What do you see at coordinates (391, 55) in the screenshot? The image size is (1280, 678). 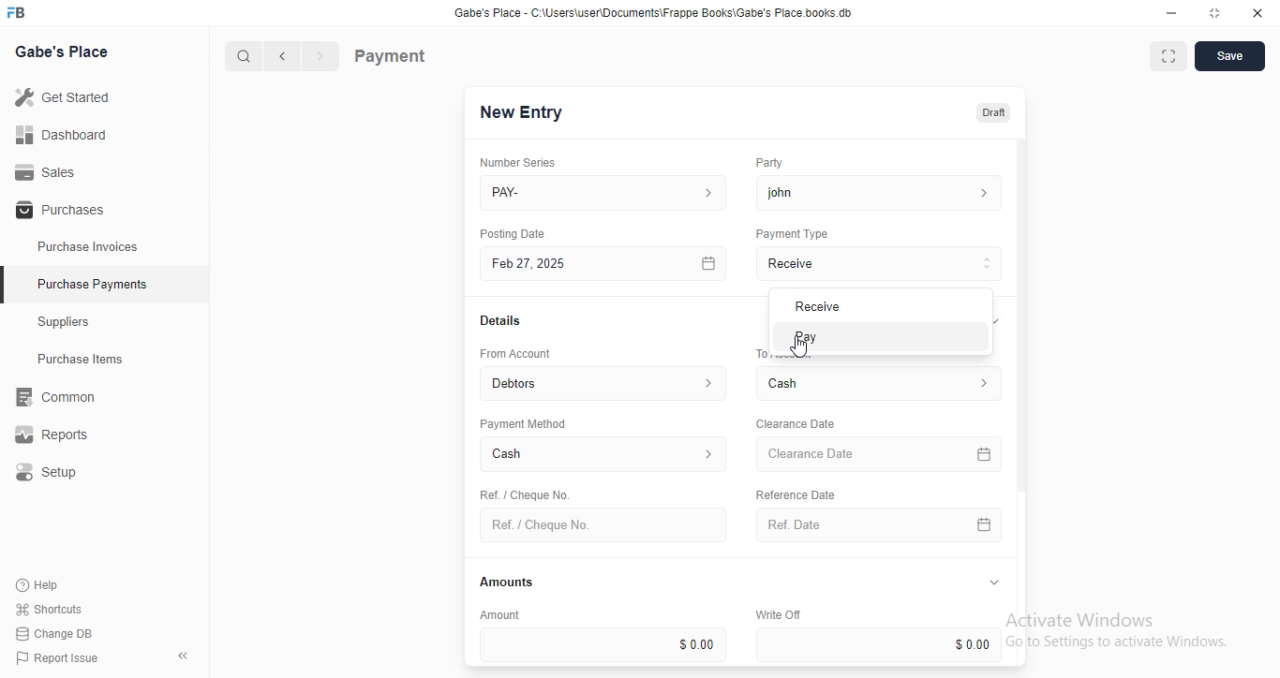 I see `Payment` at bounding box center [391, 55].